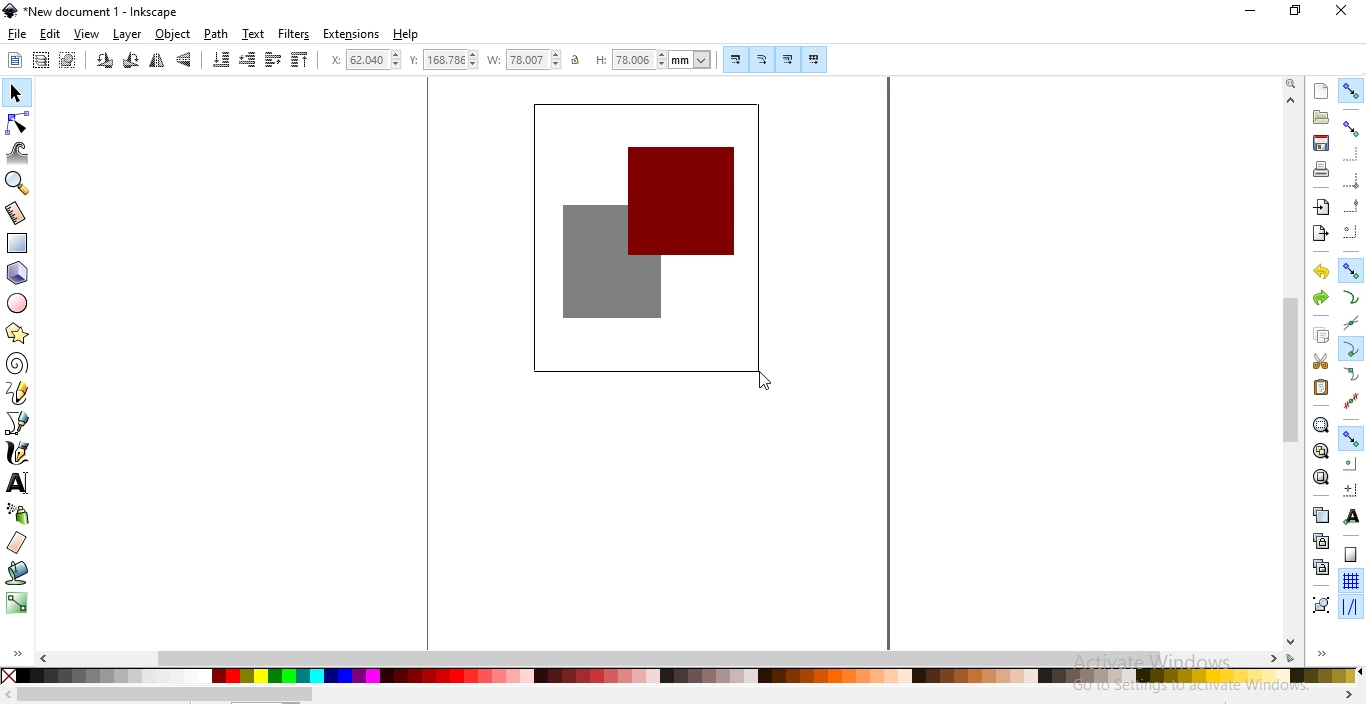  What do you see at coordinates (1319, 234) in the screenshot?
I see `export a bitmap` at bounding box center [1319, 234].